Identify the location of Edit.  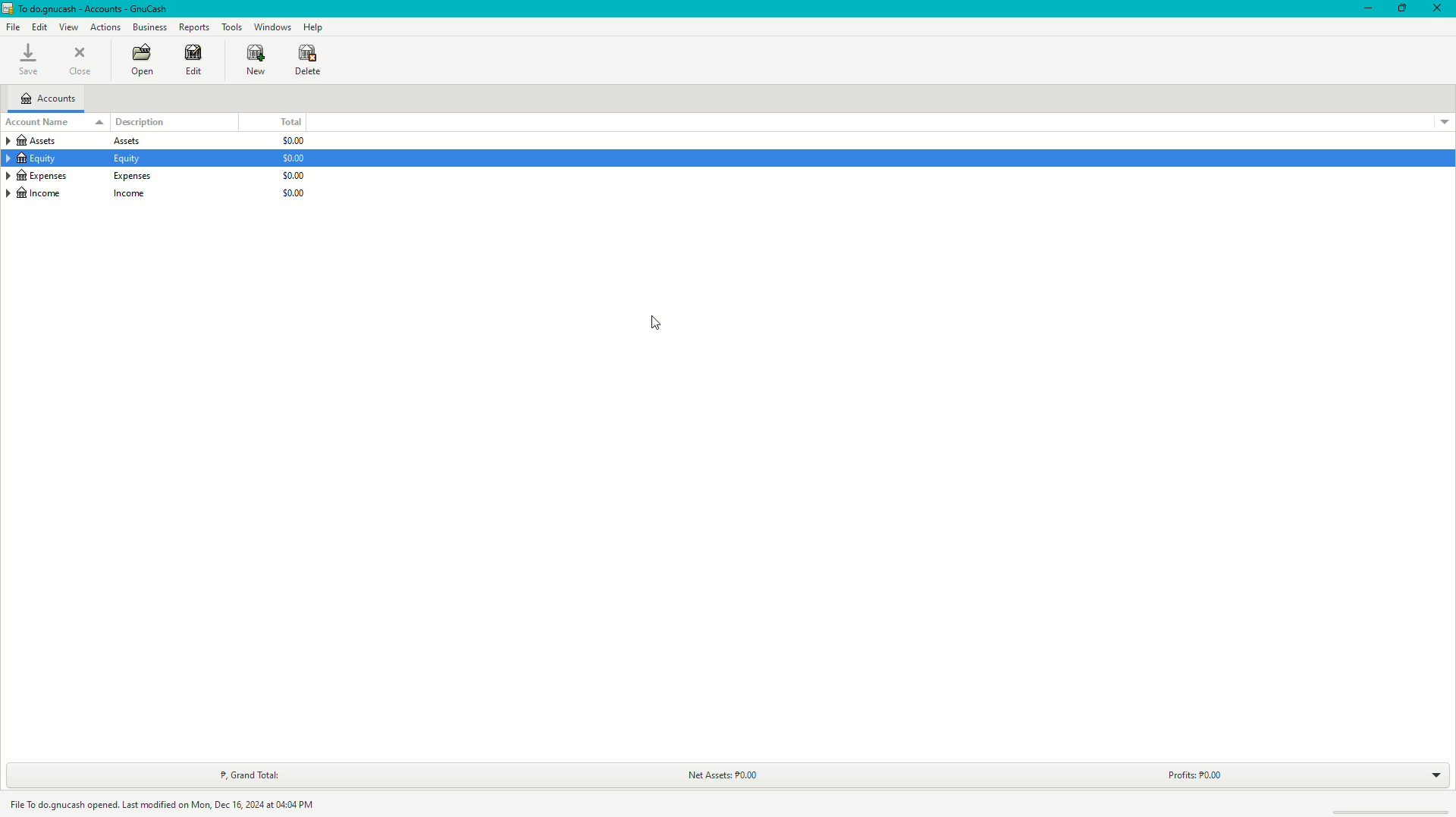
(41, 27).